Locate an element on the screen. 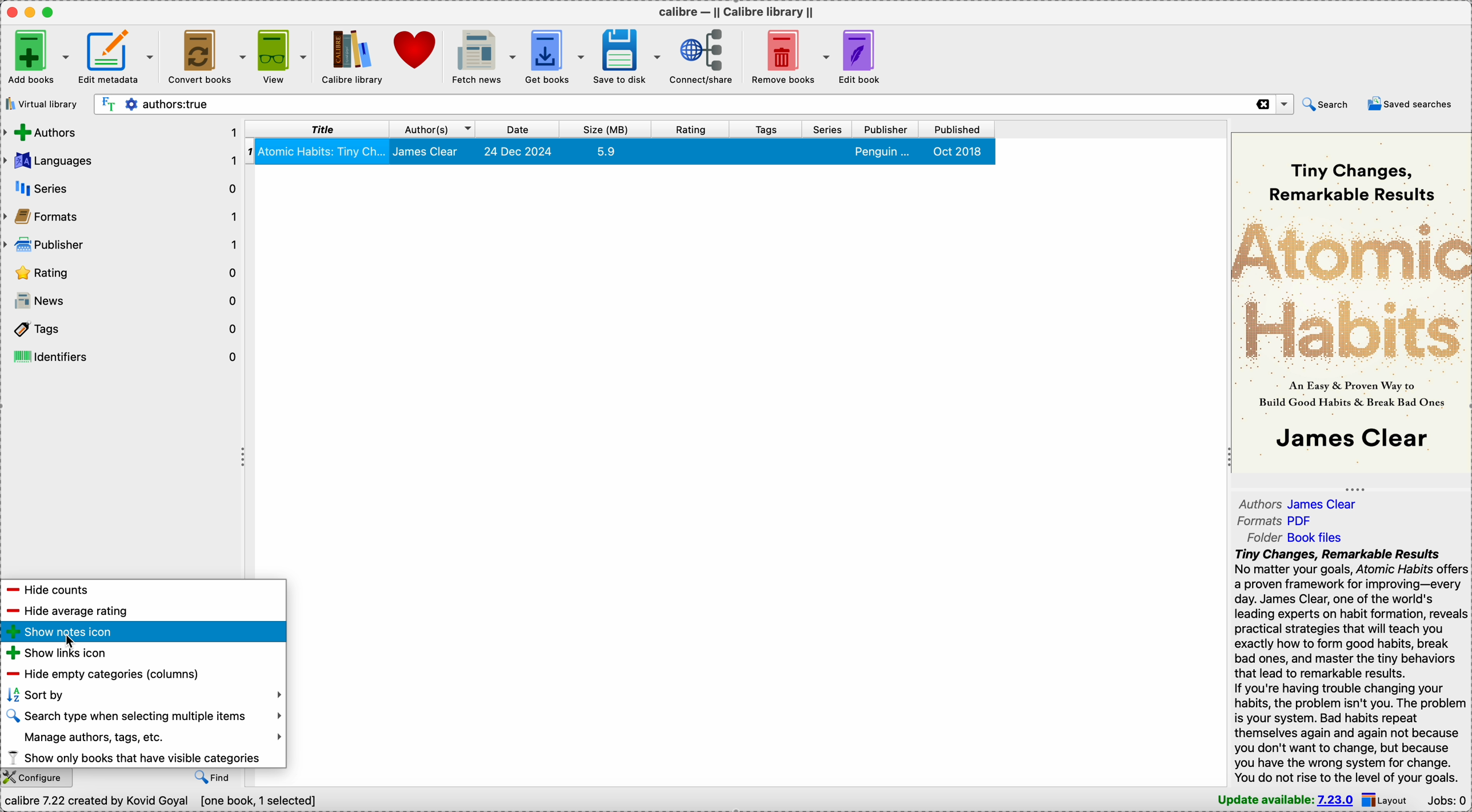  rating is located at coordinates (690, 129).